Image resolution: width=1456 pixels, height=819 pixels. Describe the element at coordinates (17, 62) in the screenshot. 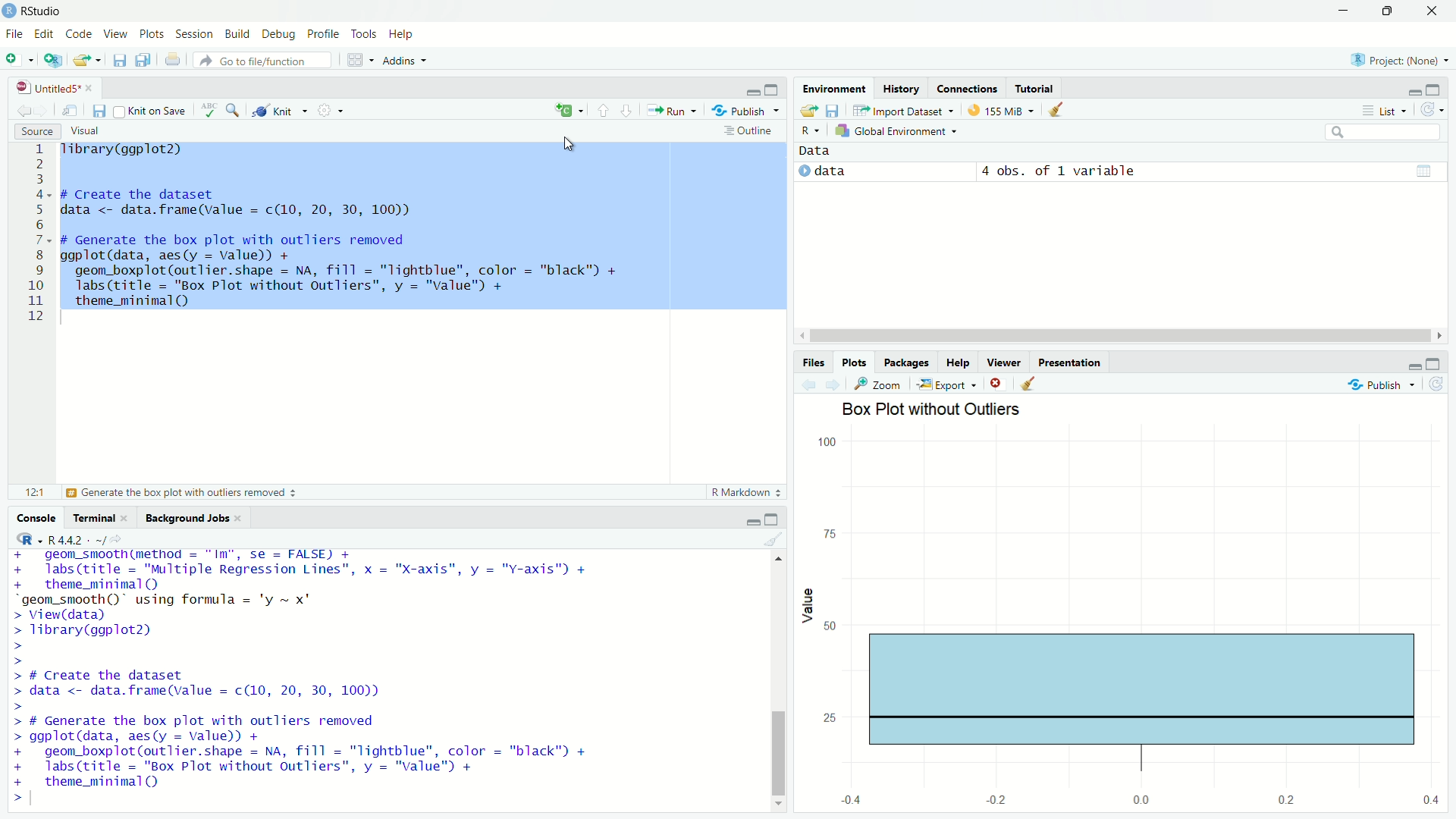

I see `add` at that location.